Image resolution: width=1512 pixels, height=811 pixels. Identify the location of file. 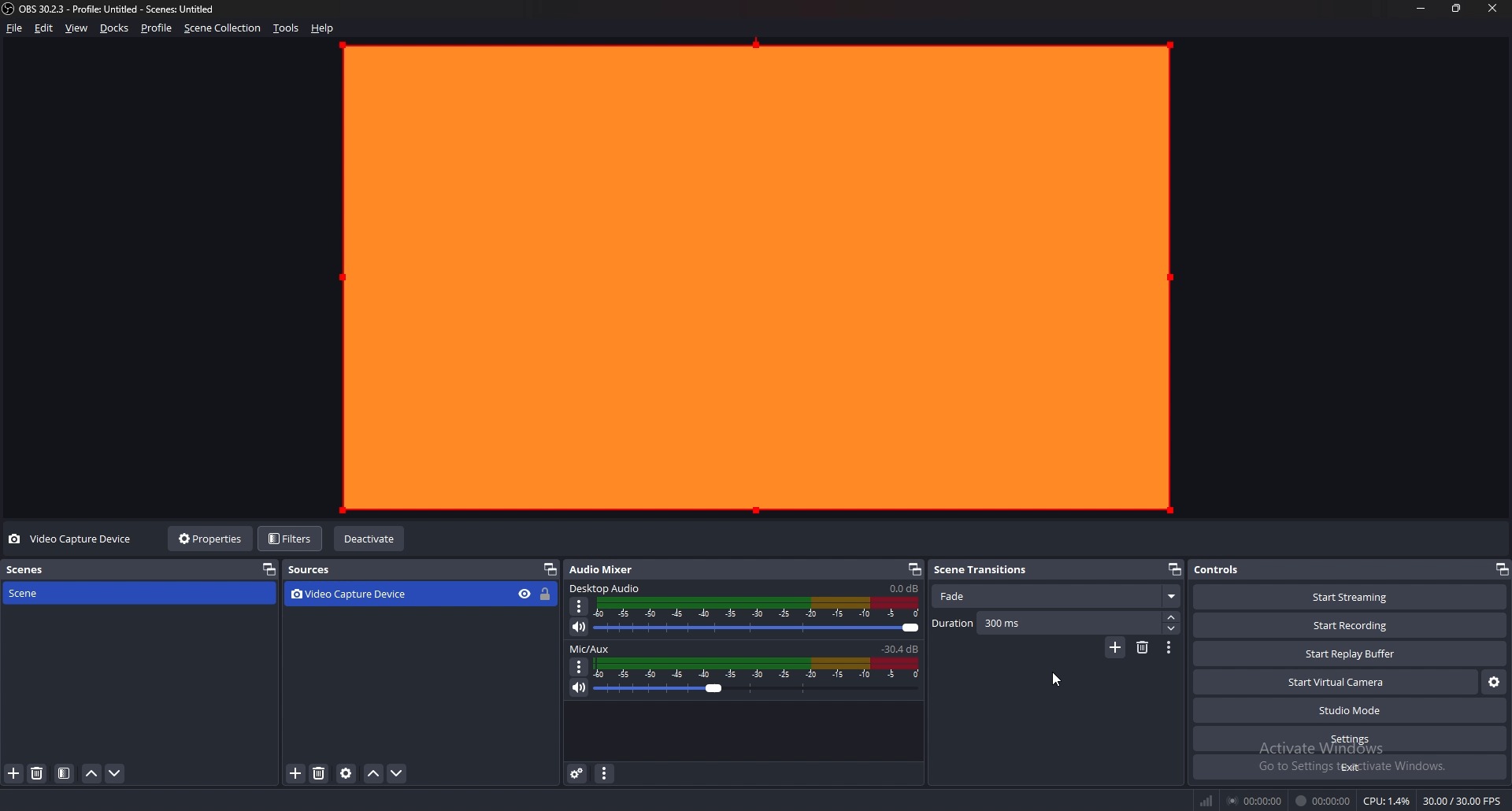
(13, 28).